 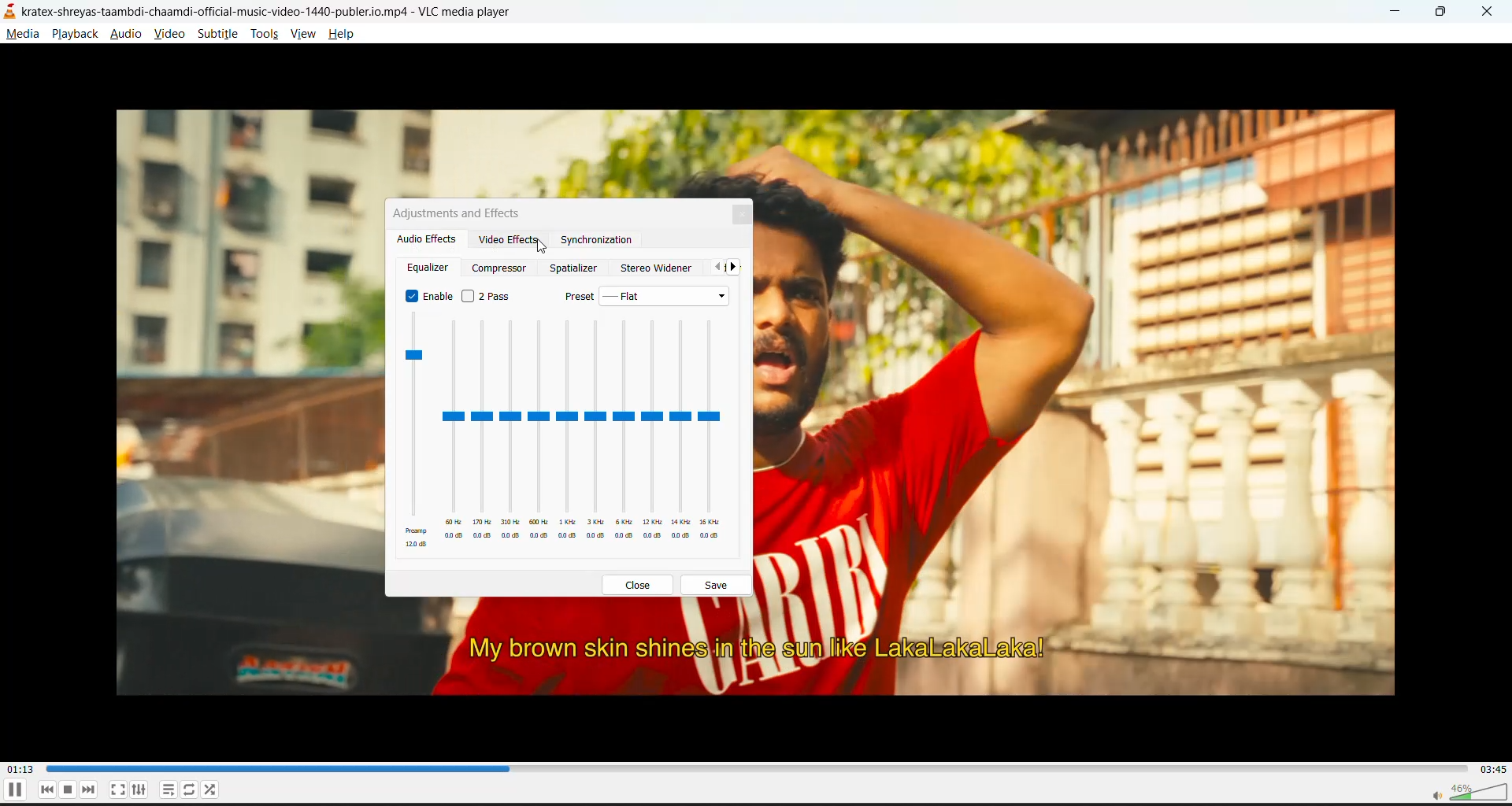 What do you see at coordinates (345, 34) in the screenshot?
I see `help` at bounding box center [345, 34].